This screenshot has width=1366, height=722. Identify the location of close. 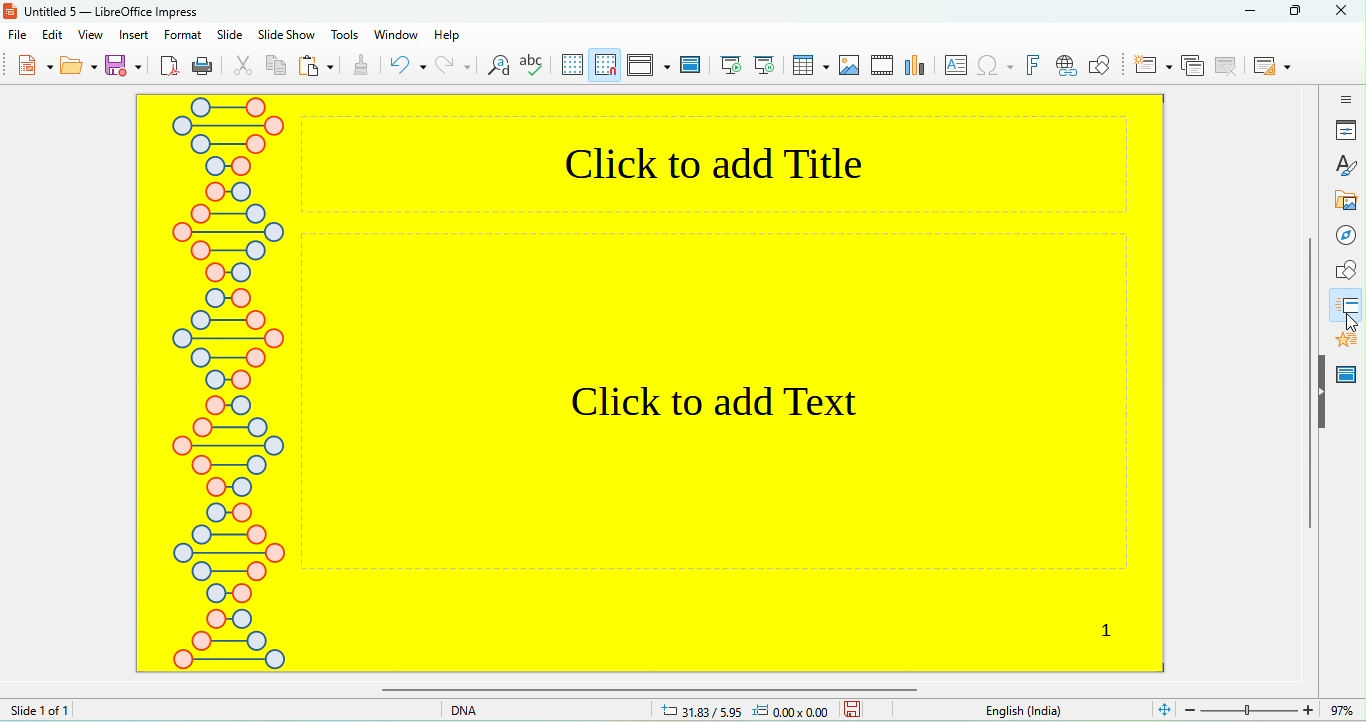
(1343, 11).